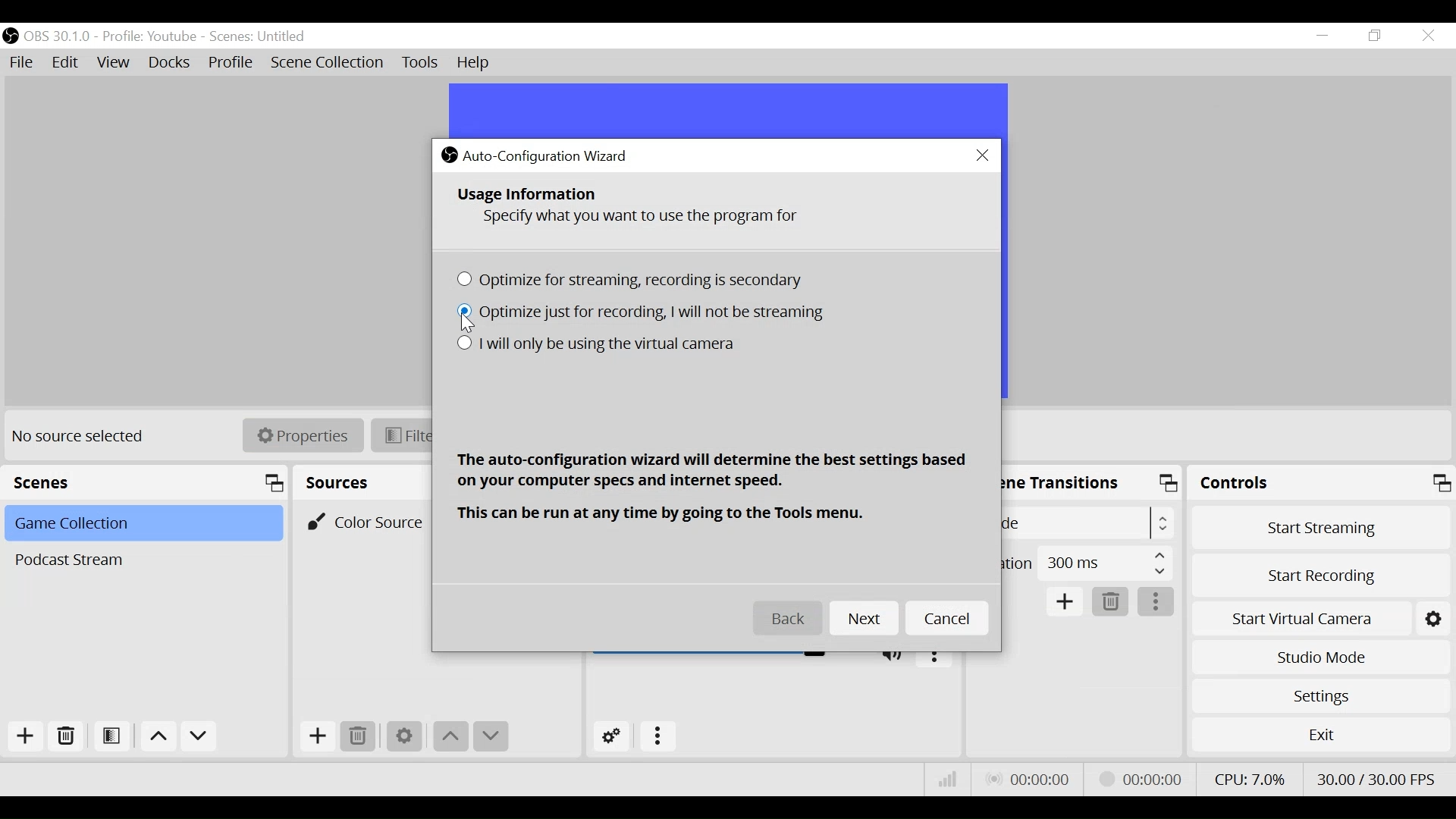 The width and height of the screenshot is (1456, 819). Describe the element at coordinates (1144, 779) in the screenshot. I see `Stream ` at that location.